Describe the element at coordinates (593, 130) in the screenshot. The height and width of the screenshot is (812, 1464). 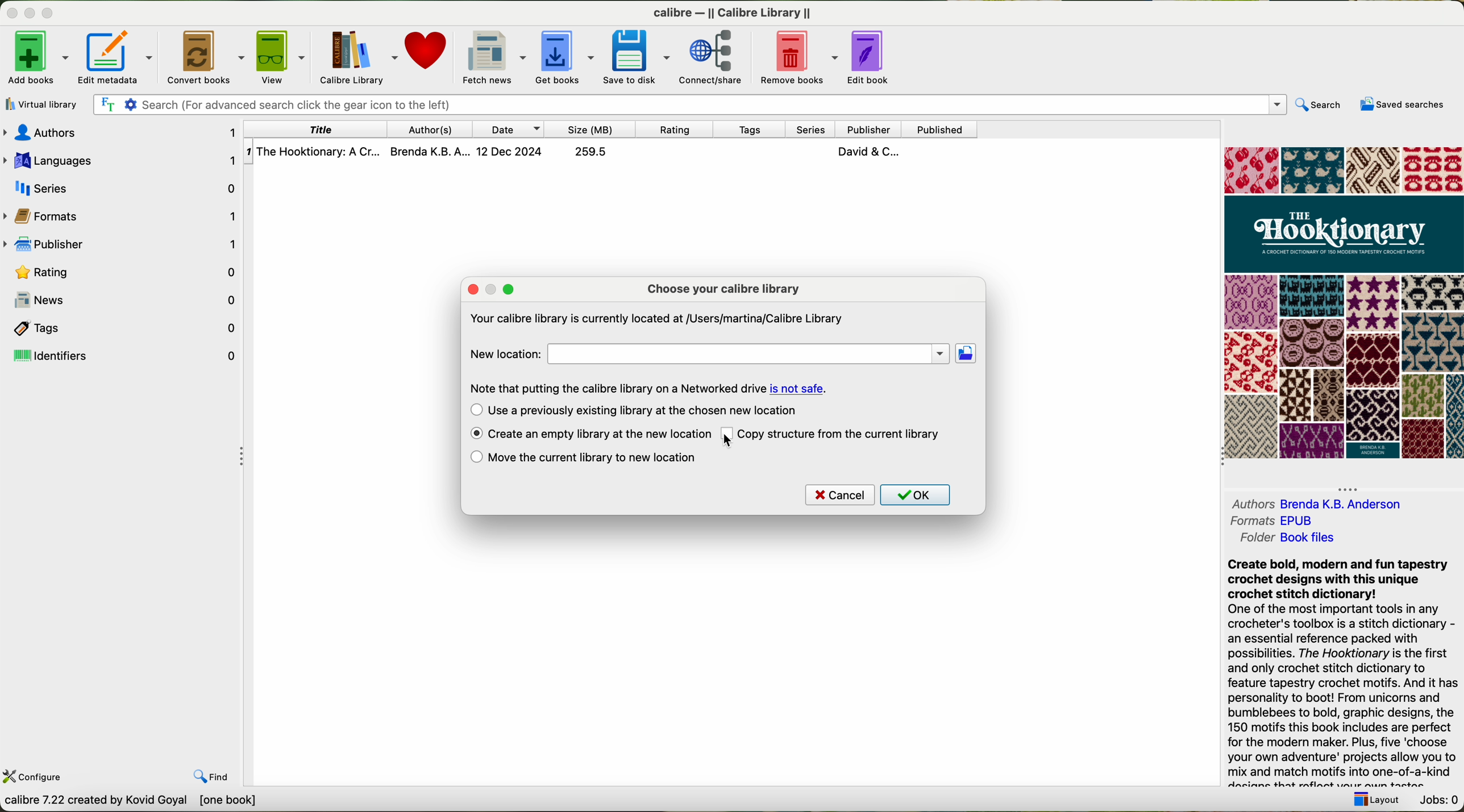
I see `size` at that location.